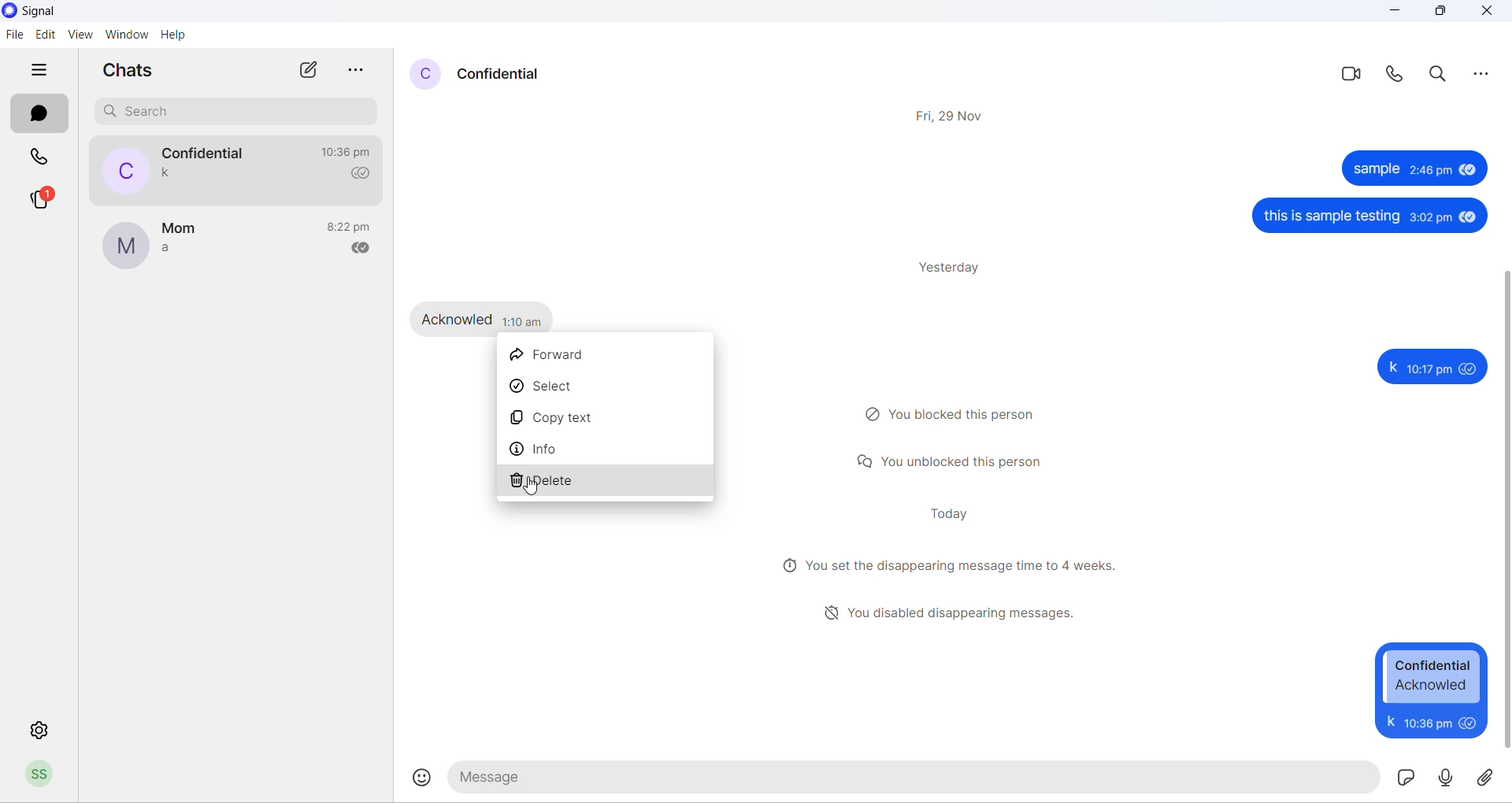 The height and width of the screenshot is (803, 1512). Describe the element at coordinates (1430, 218) in the screenshot. I see `3:02 pm` at that location.